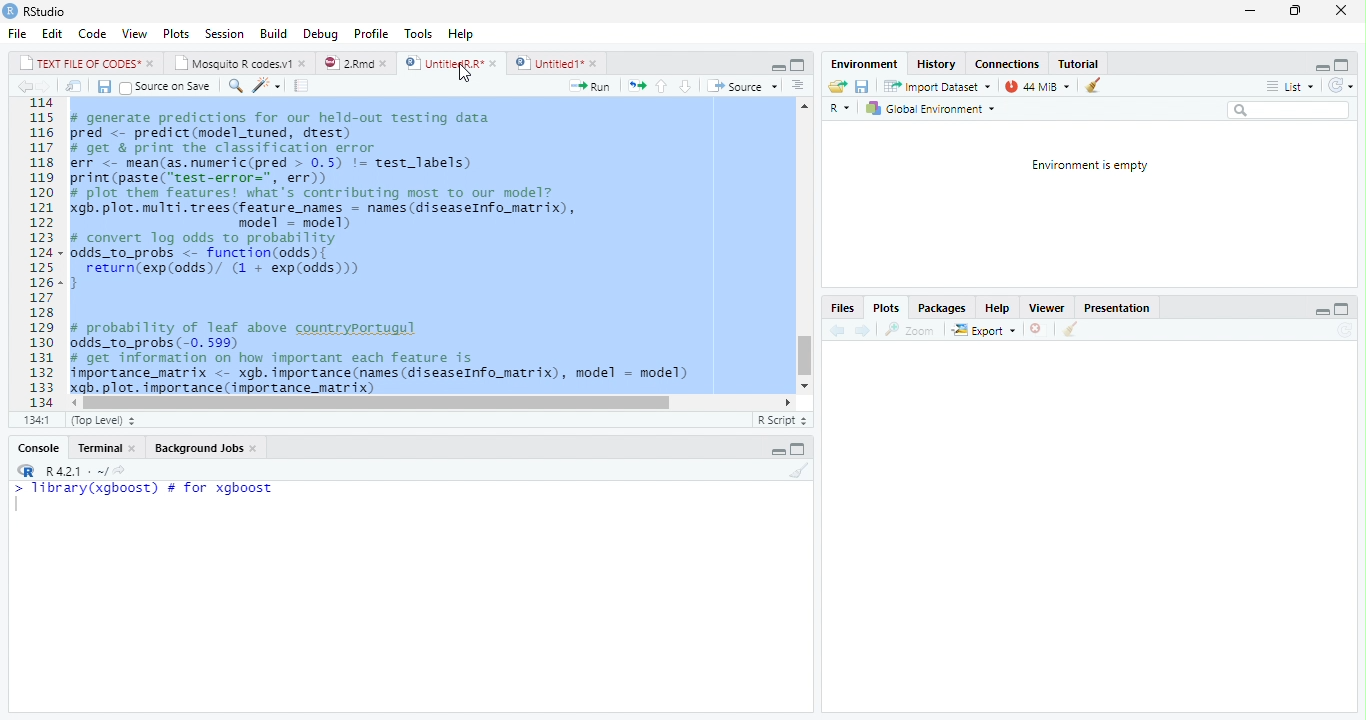 This screenshot has height=720, width=1366. I want to click on Run, so click(591, 85).